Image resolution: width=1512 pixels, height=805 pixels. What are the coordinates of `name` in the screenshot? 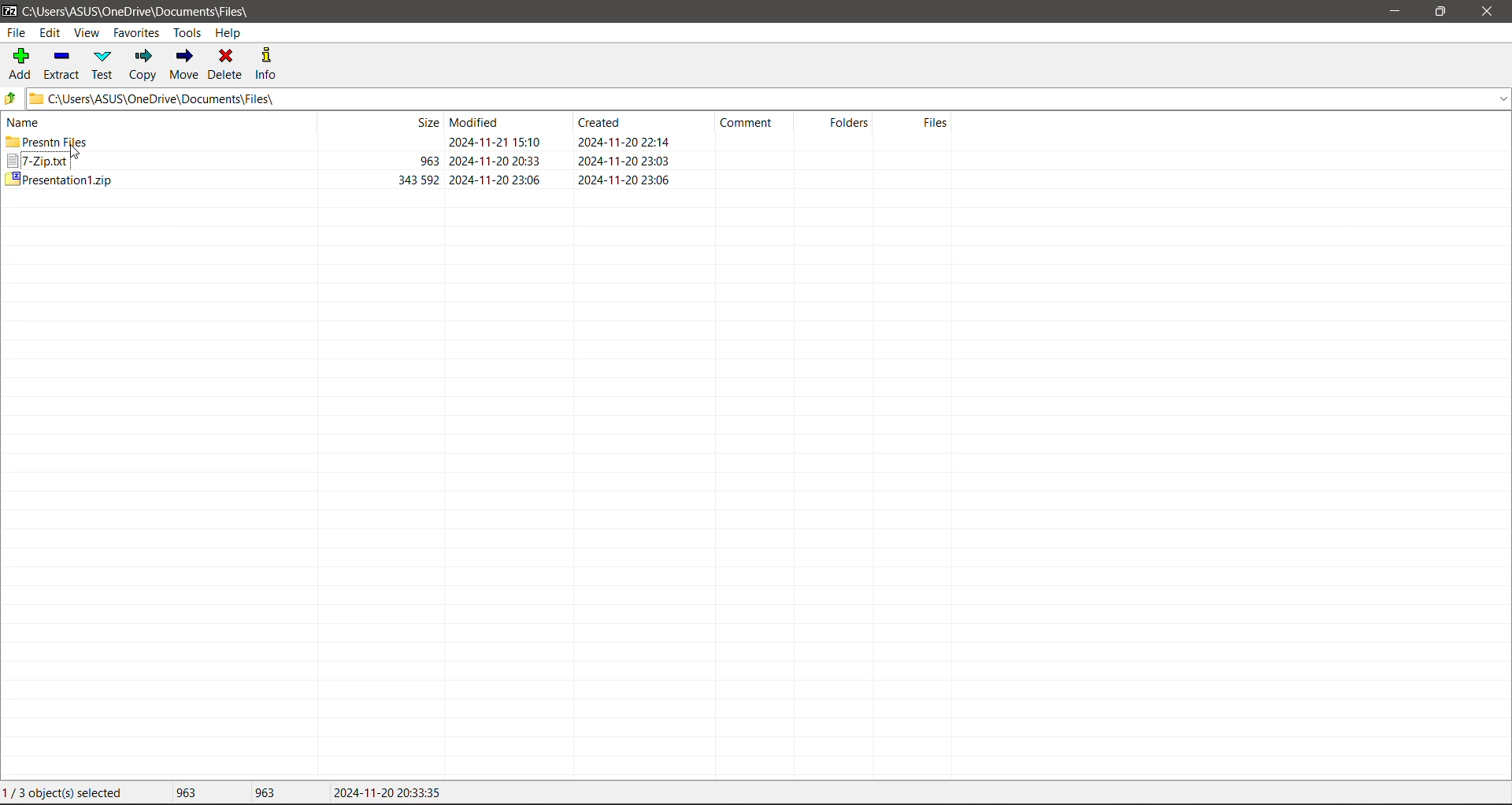 It's located at (31, 121).